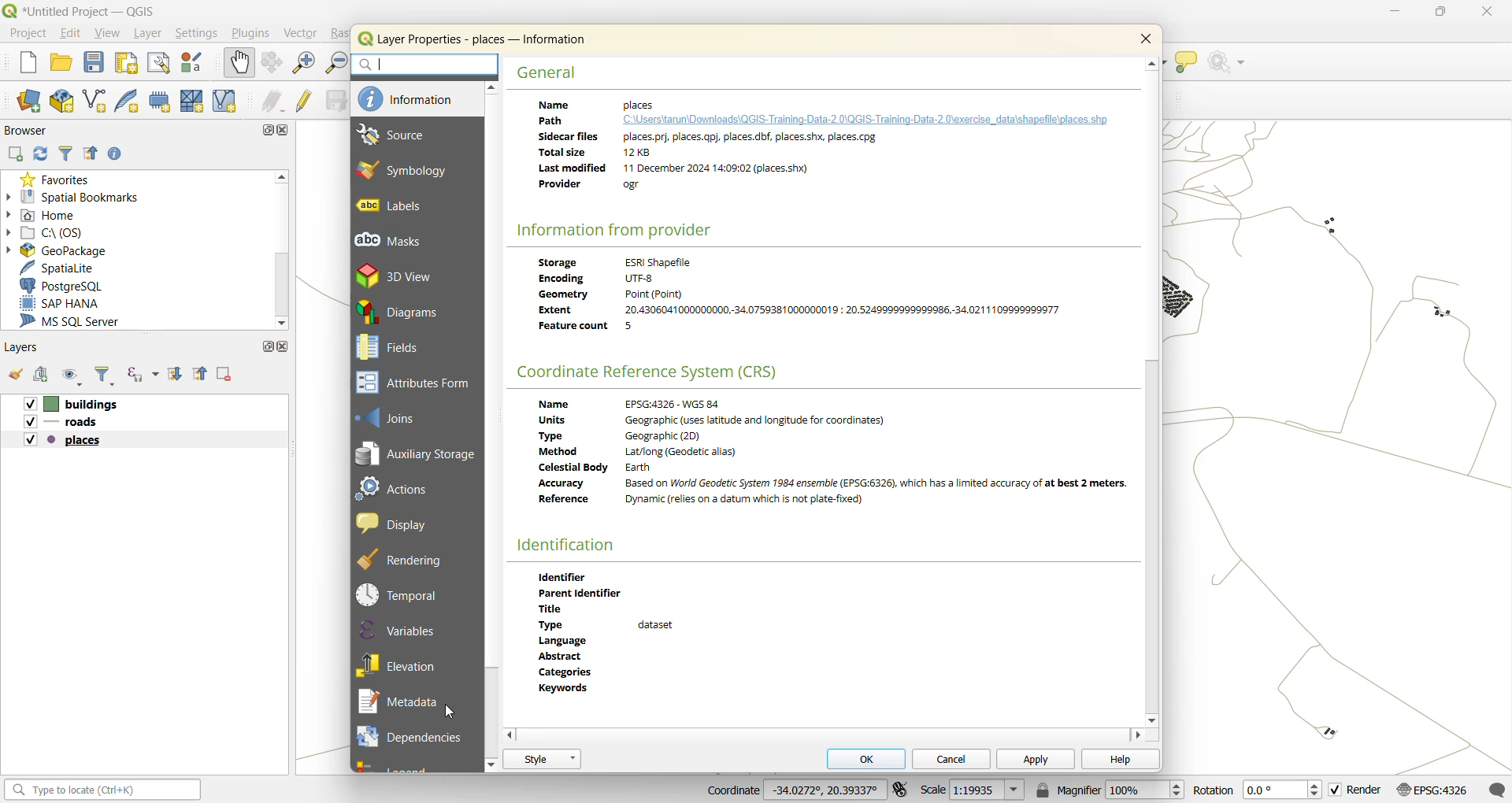 This screenshot has height=803, width=1512. Describe the element at coordinates (47, 376) in the screenshot. I see `add` at that location.